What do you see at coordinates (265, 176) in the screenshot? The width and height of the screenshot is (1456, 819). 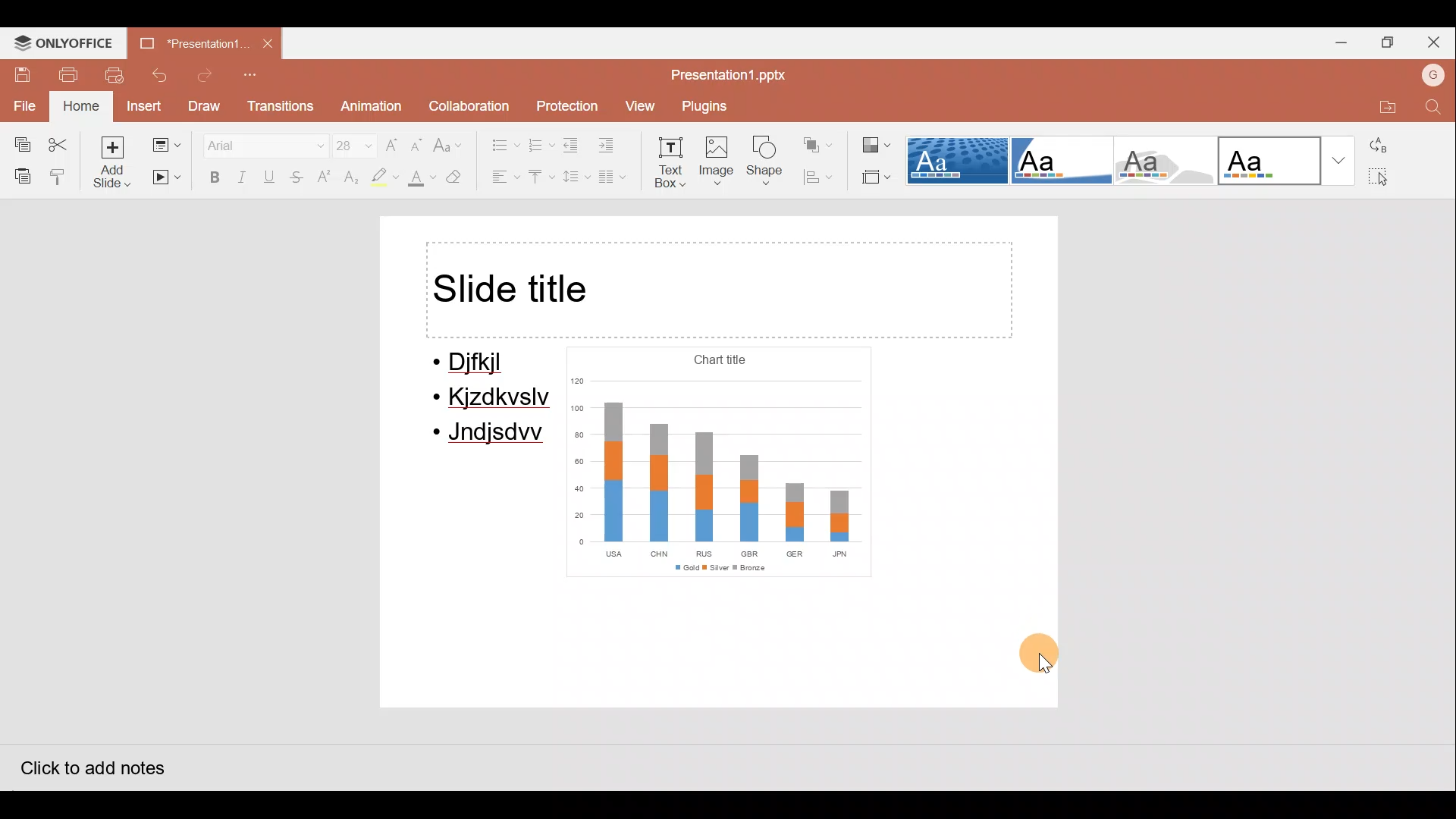 I see `Underline` at bounding box center [265, 176].